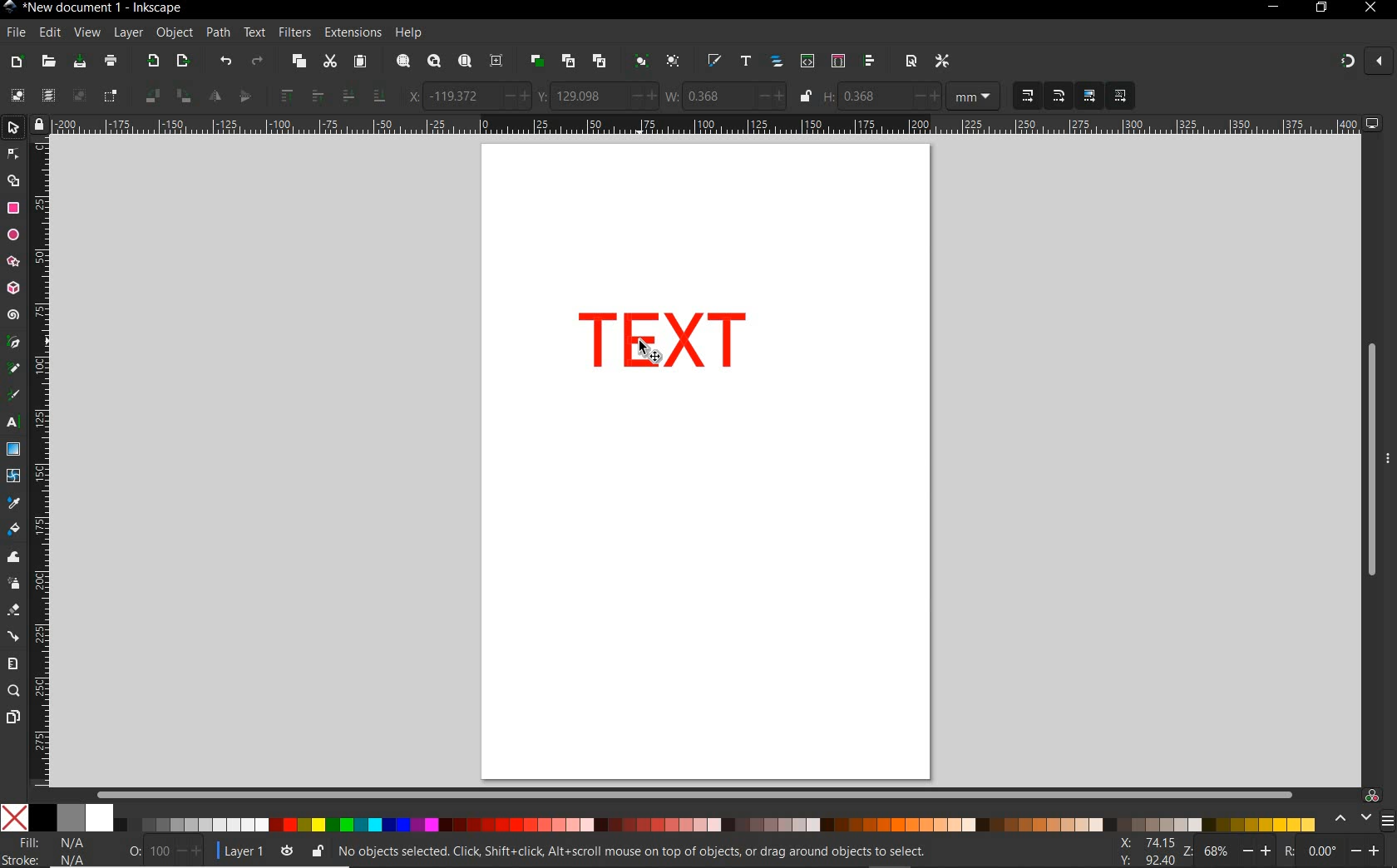 This screenshot has height=868, width=1397. I want to click on FILTERS, so click(294, 31).